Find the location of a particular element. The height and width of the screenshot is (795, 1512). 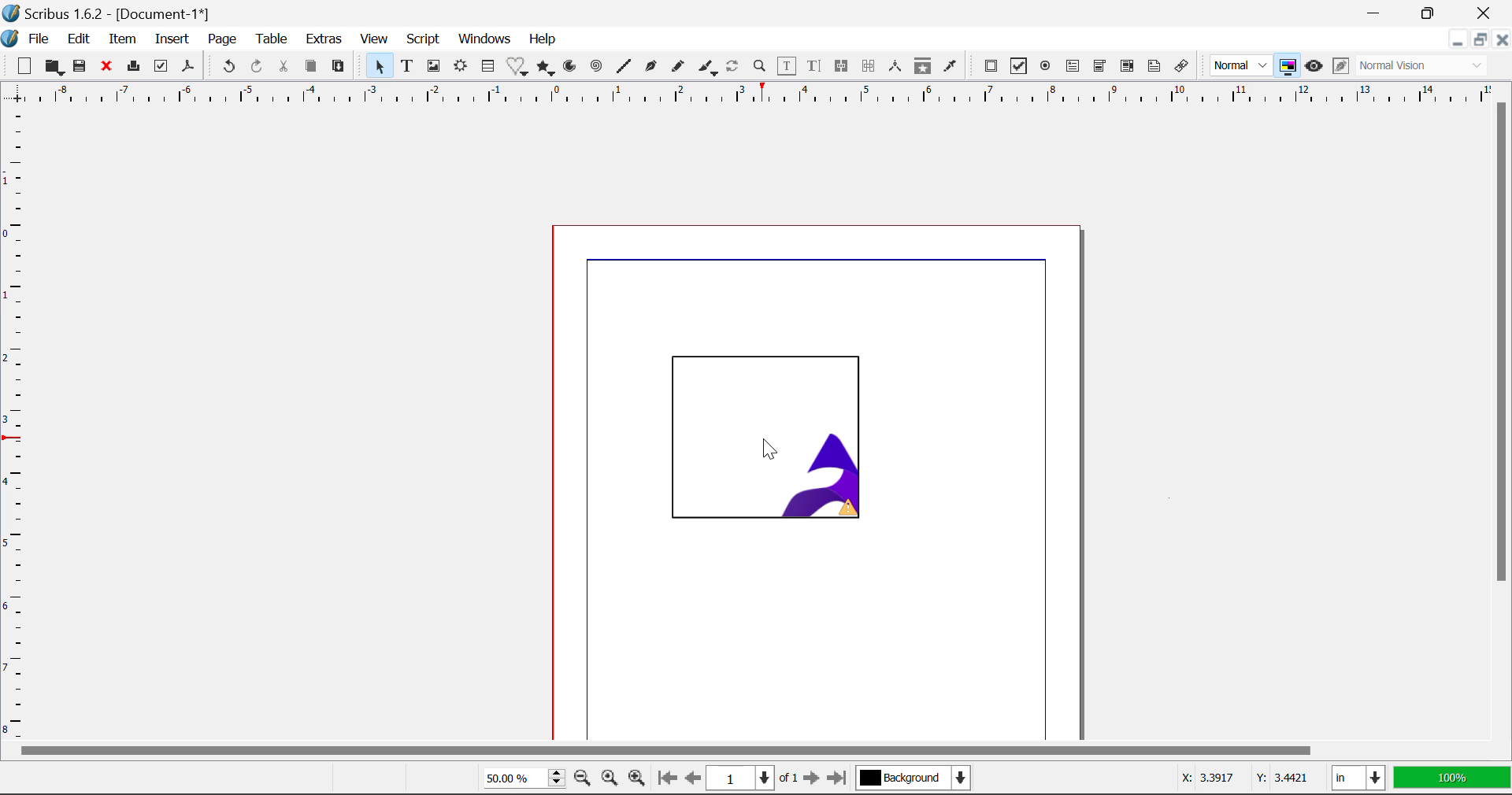

Pdf Combo Box is located at coordinates (1098, 66).